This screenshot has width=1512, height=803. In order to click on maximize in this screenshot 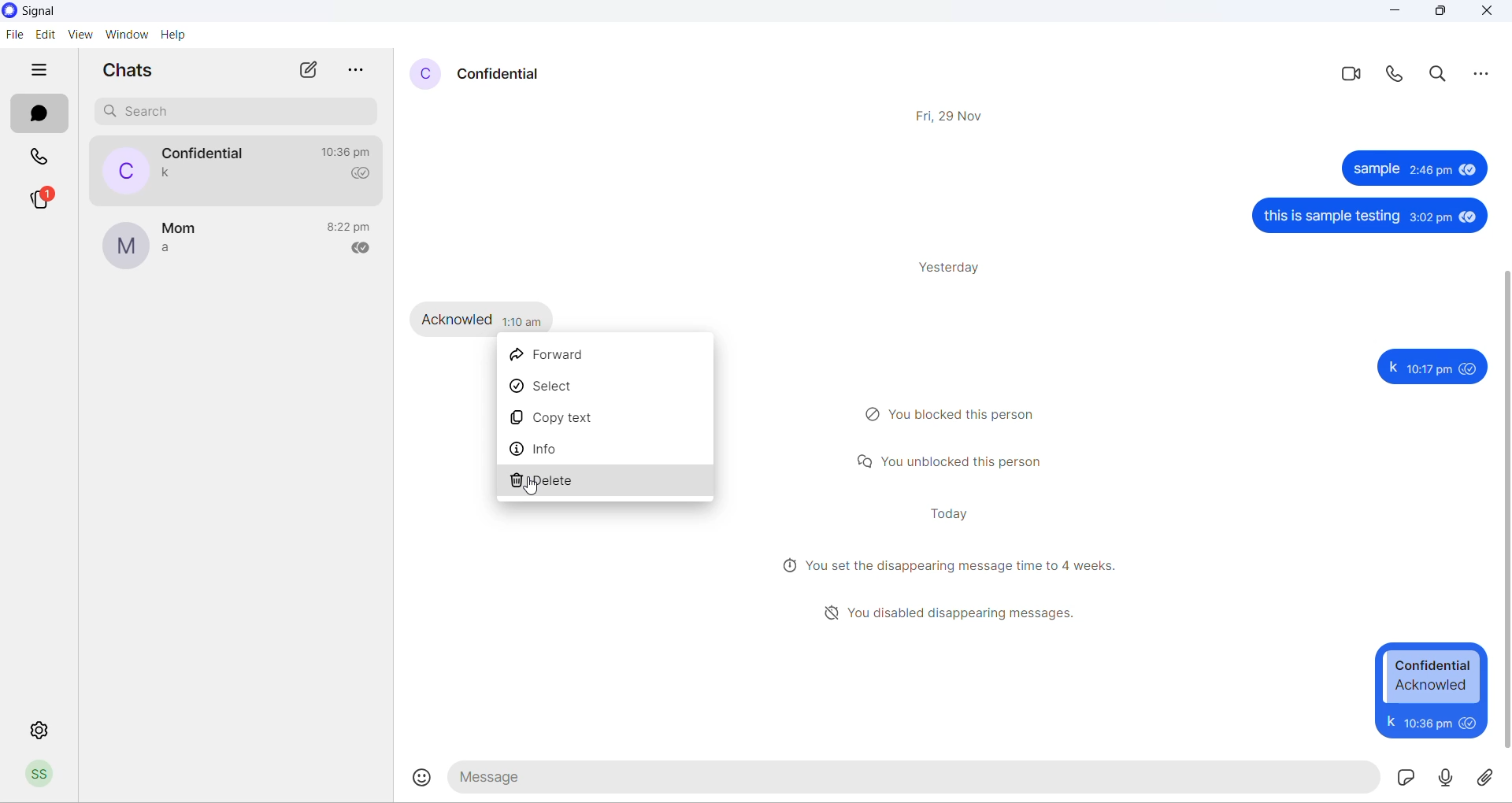, I will do `click(1440, 12)`.